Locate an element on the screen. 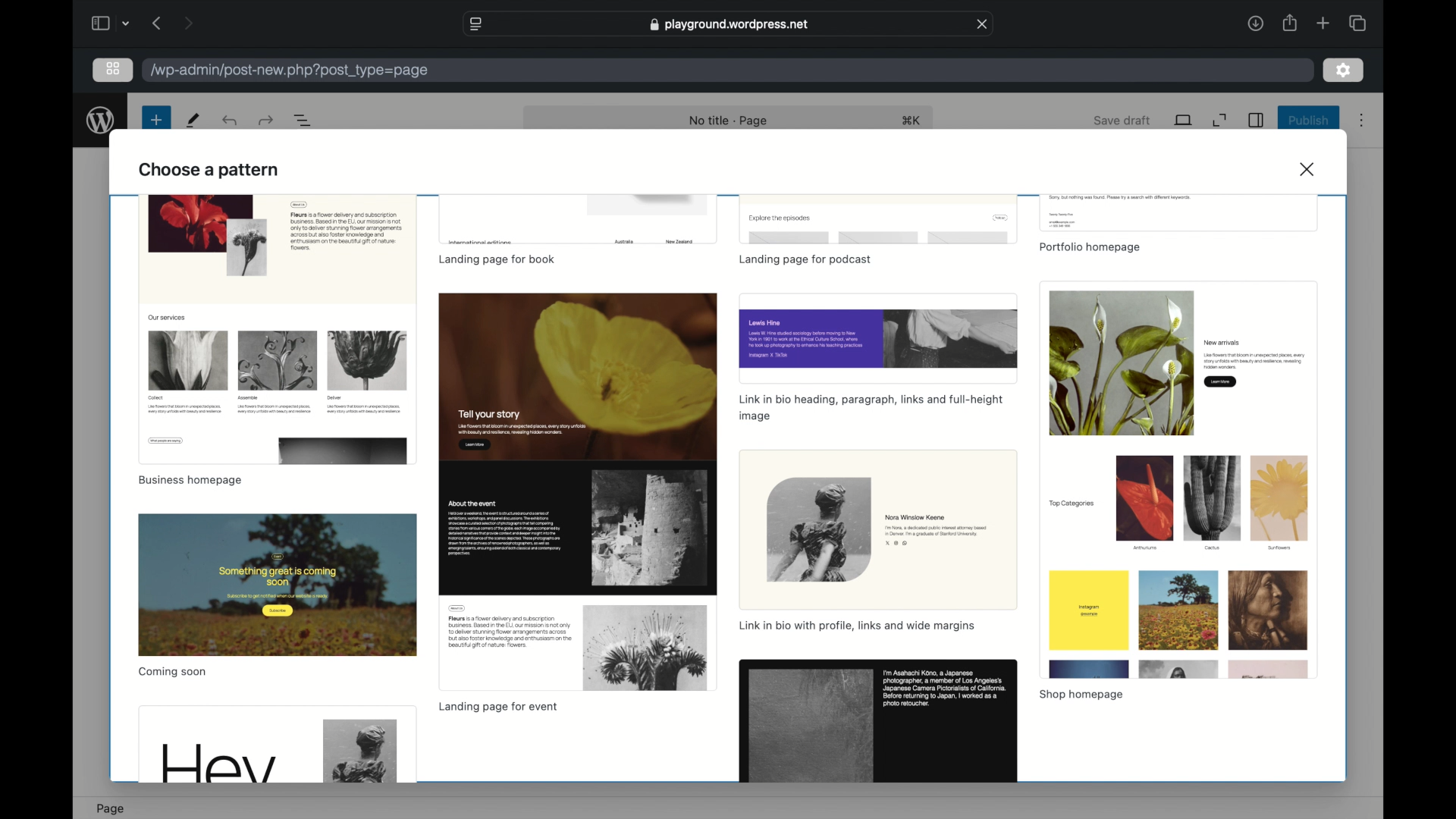  tools is located at coordinates (194, 121).